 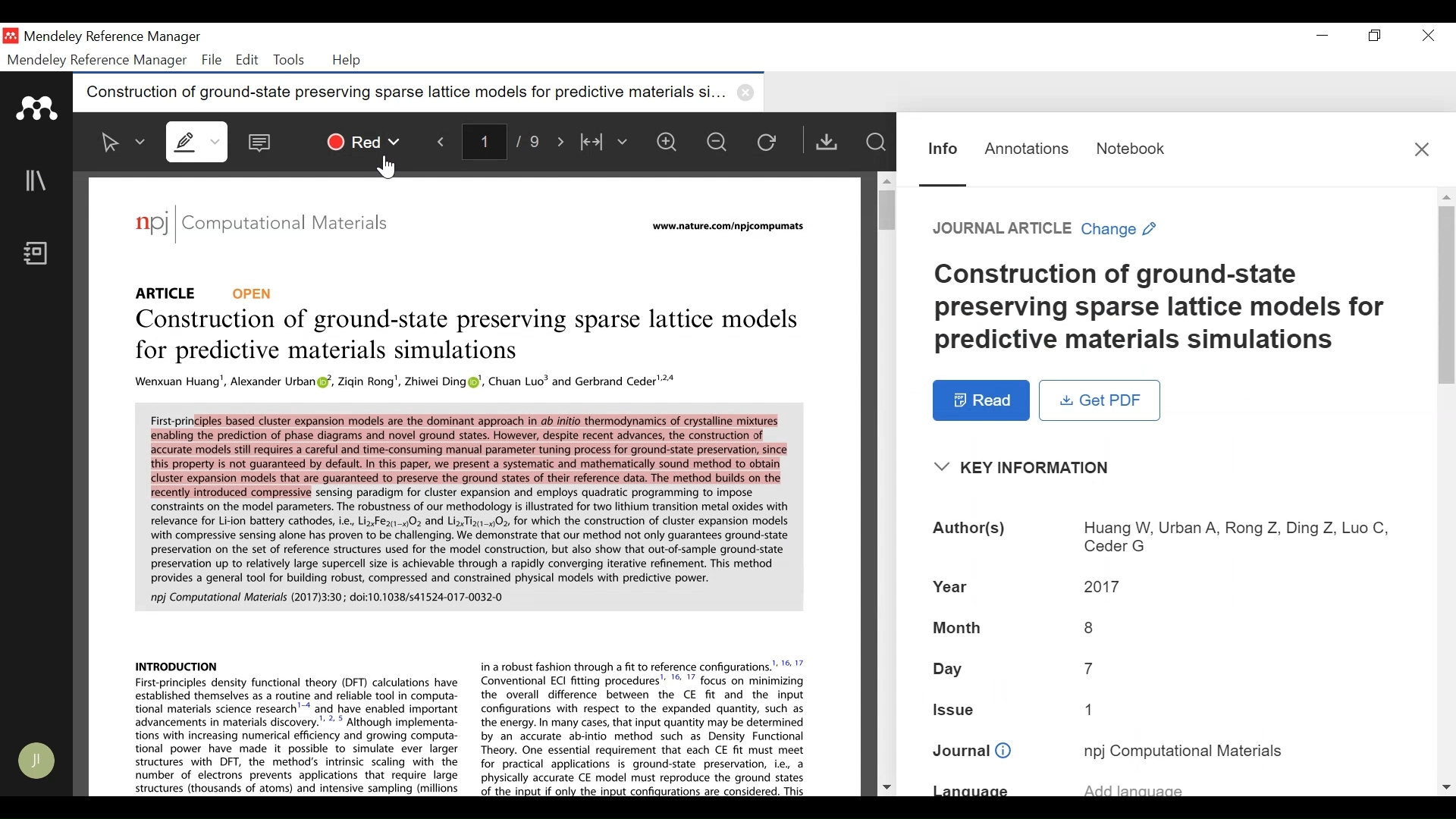 What do you see at coordinates (968, 532) in the screenshot?
I see `Author(s):` at bounding box center [968, 532].